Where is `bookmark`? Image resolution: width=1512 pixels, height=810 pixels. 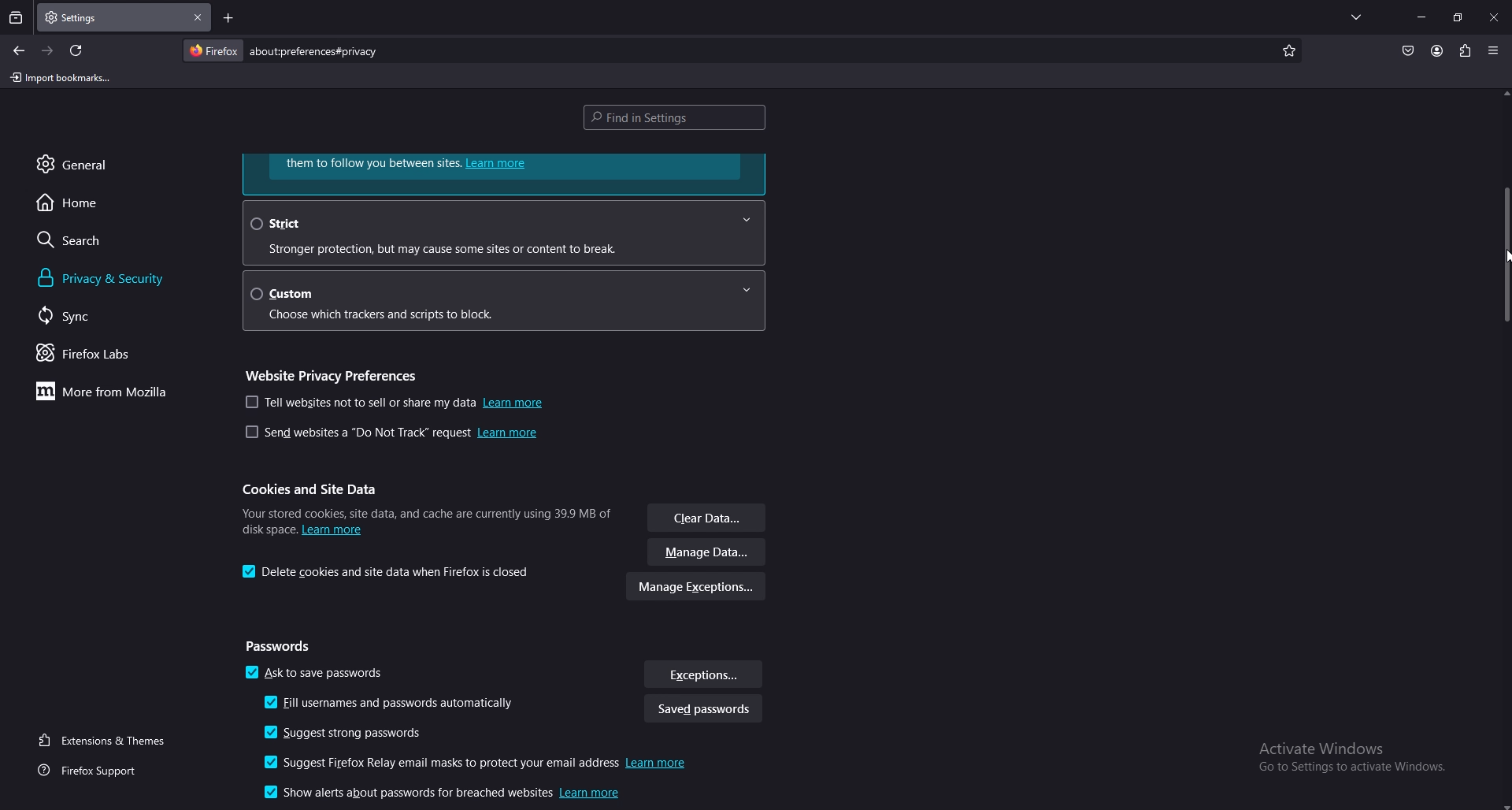 bookmark is located at coordinates (1290, 51).